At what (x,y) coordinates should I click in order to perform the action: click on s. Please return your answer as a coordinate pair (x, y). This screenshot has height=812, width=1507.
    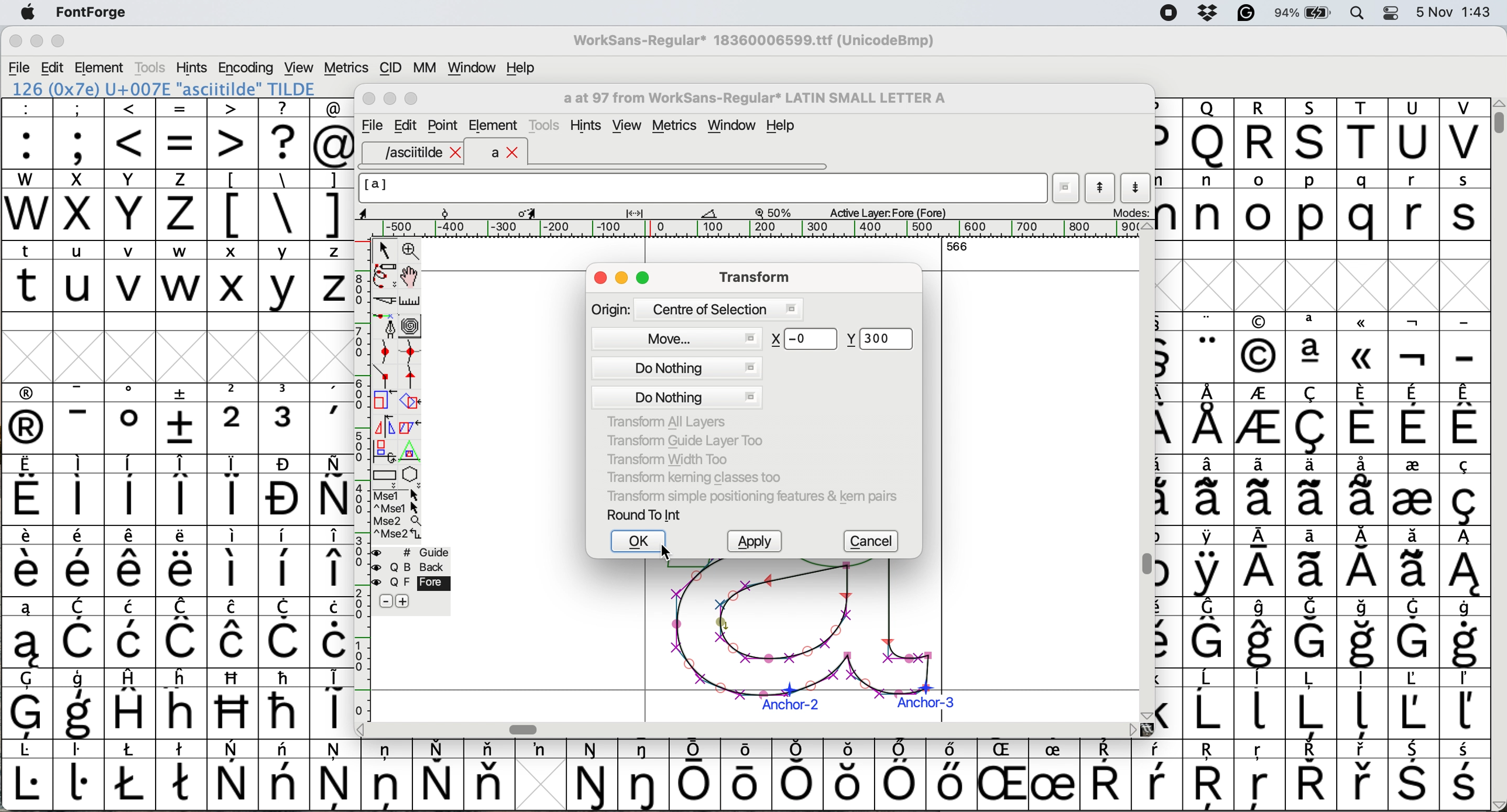
    Looking at the image, I should click on (1465, 205).